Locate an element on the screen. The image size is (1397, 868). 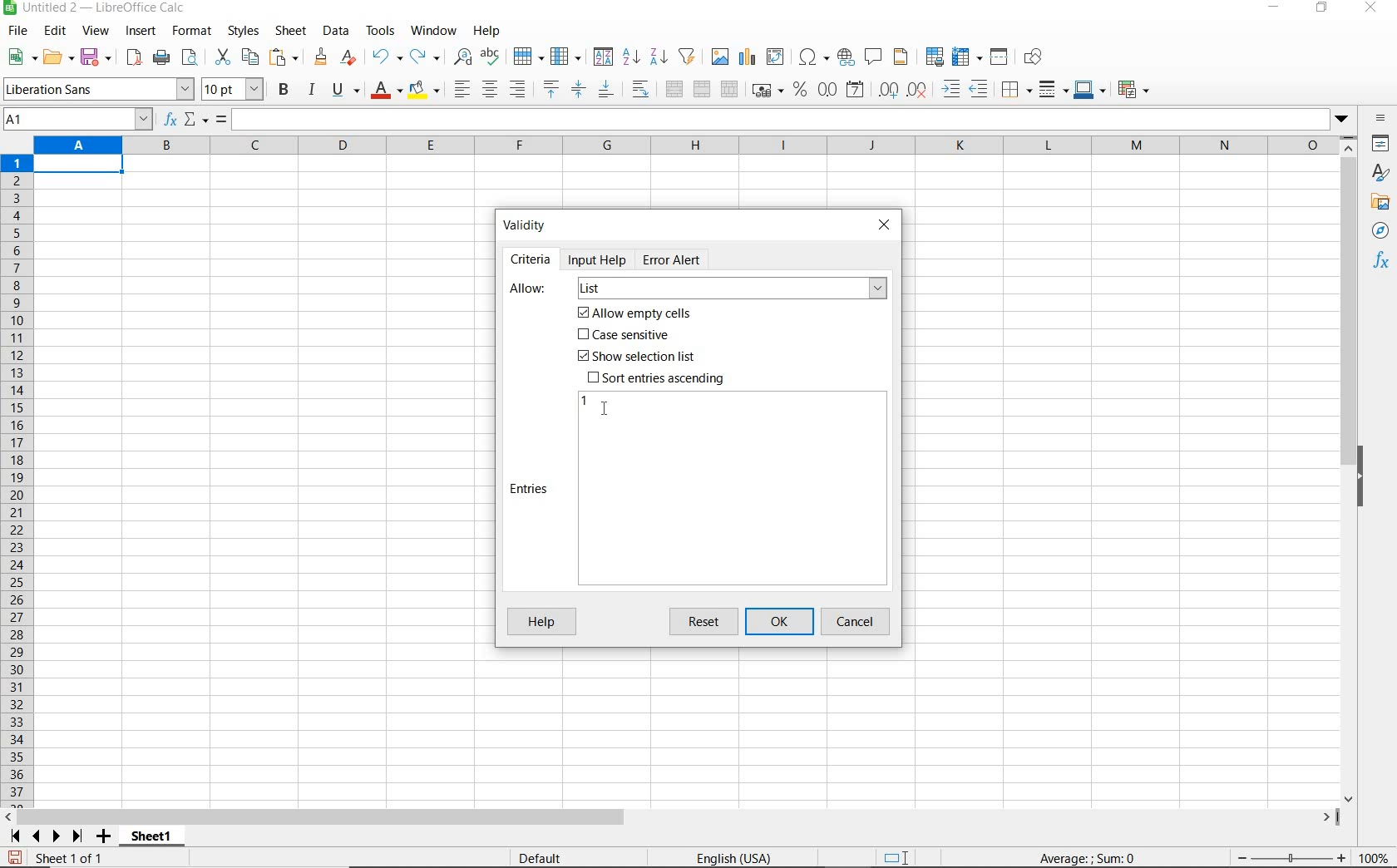
insert special characters is located at coordinates (814, 57).